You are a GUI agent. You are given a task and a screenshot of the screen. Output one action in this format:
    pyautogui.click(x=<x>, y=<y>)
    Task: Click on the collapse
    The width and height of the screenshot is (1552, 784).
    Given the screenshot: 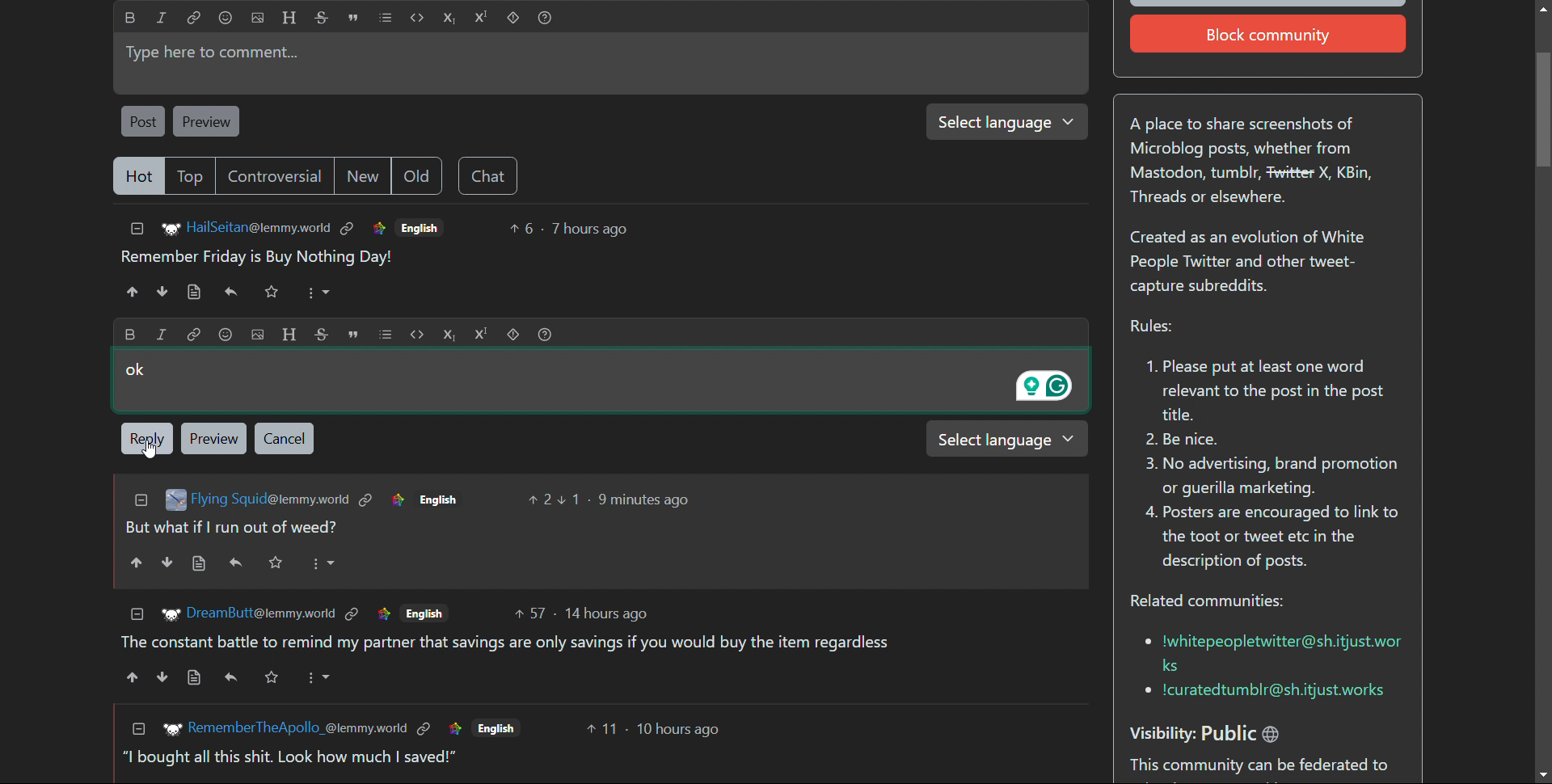 What is the action you would take?
    pyautogui.click(x=137, y=613)
    